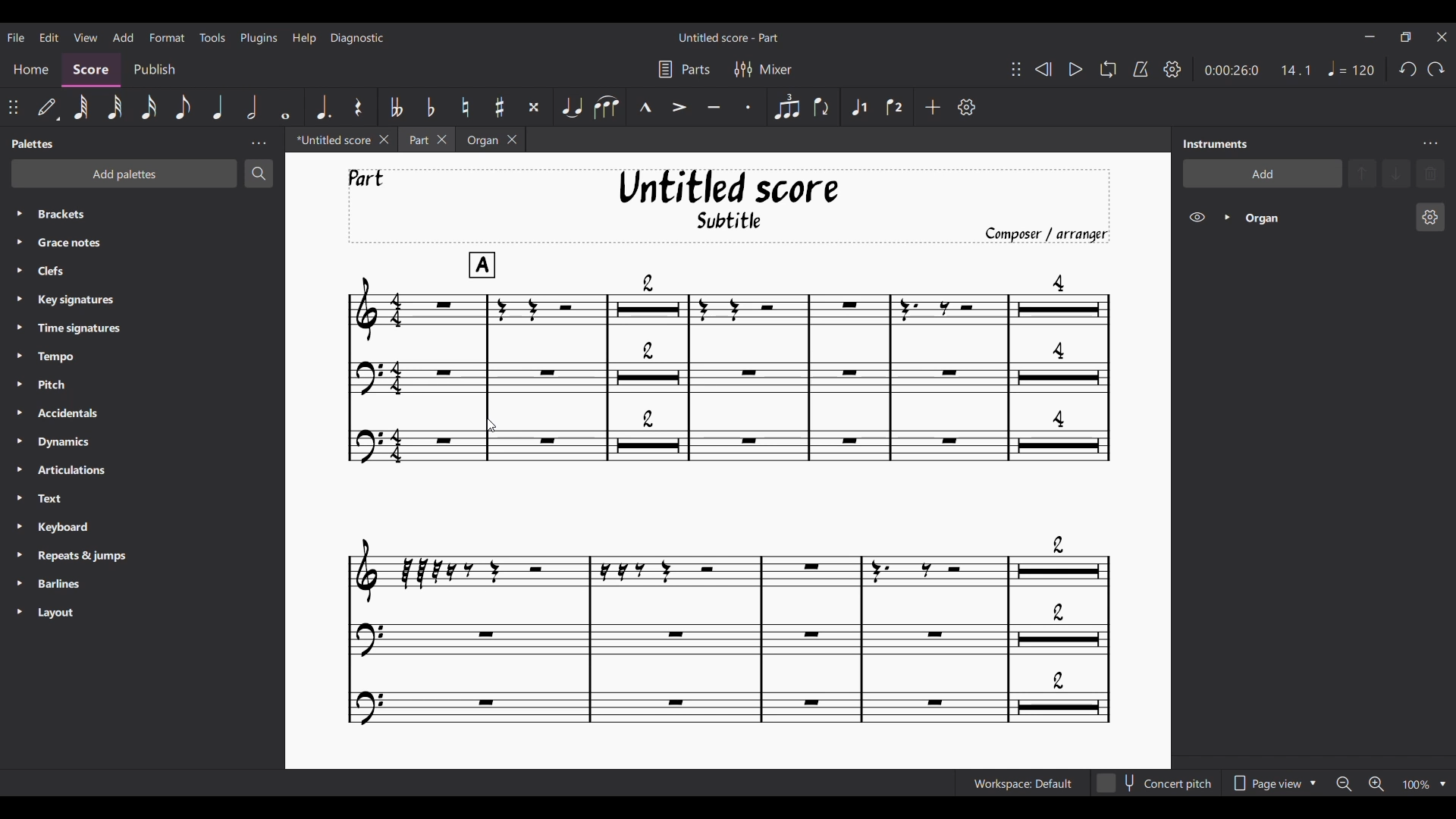  What do you see at coordinates (259, 37) in the screenshot?
I see `Plugins menu` at bounding box center [259, 37].